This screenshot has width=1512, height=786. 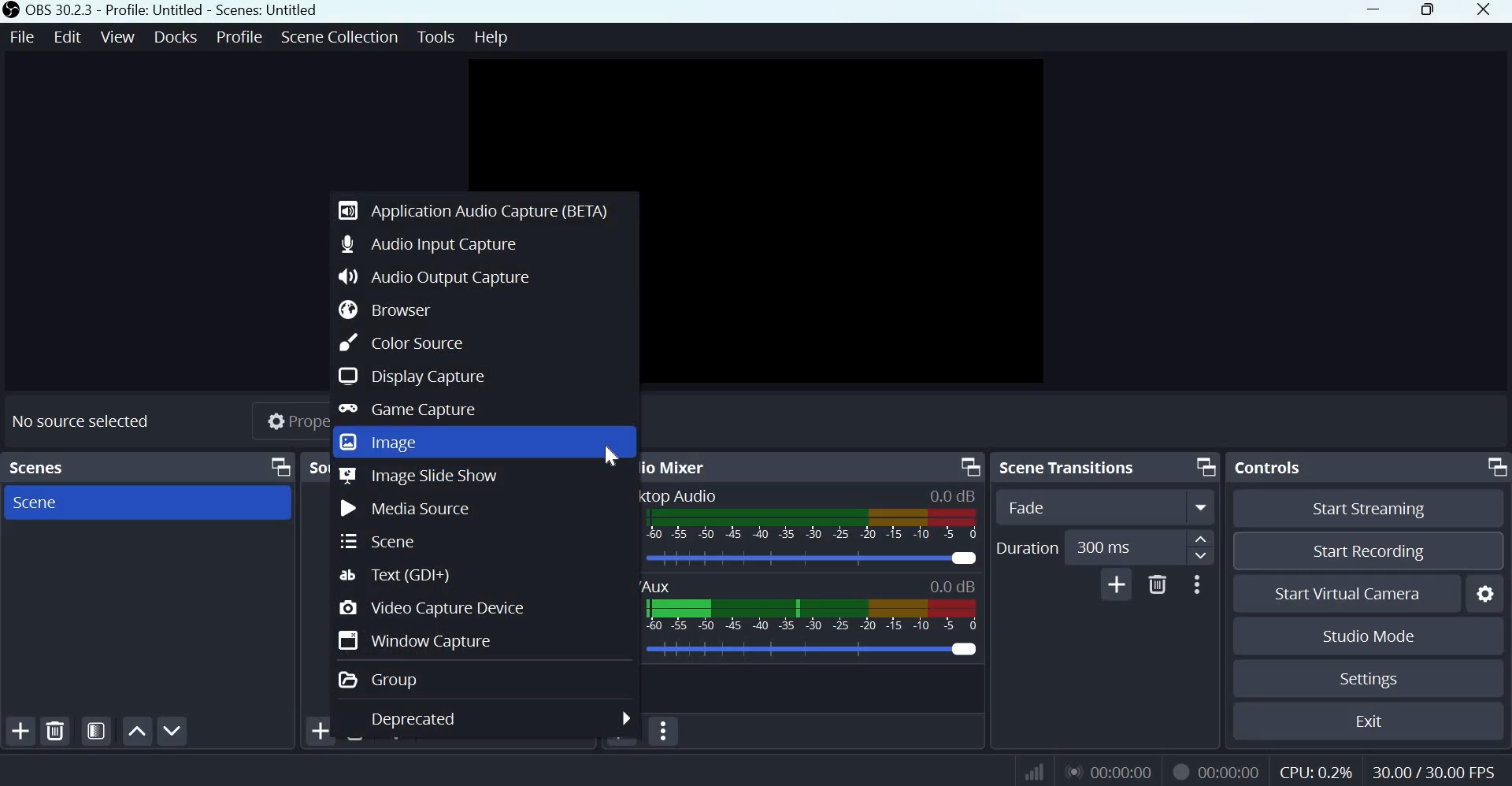 I want to click on Start streaming, so click(x=1370, y=510).